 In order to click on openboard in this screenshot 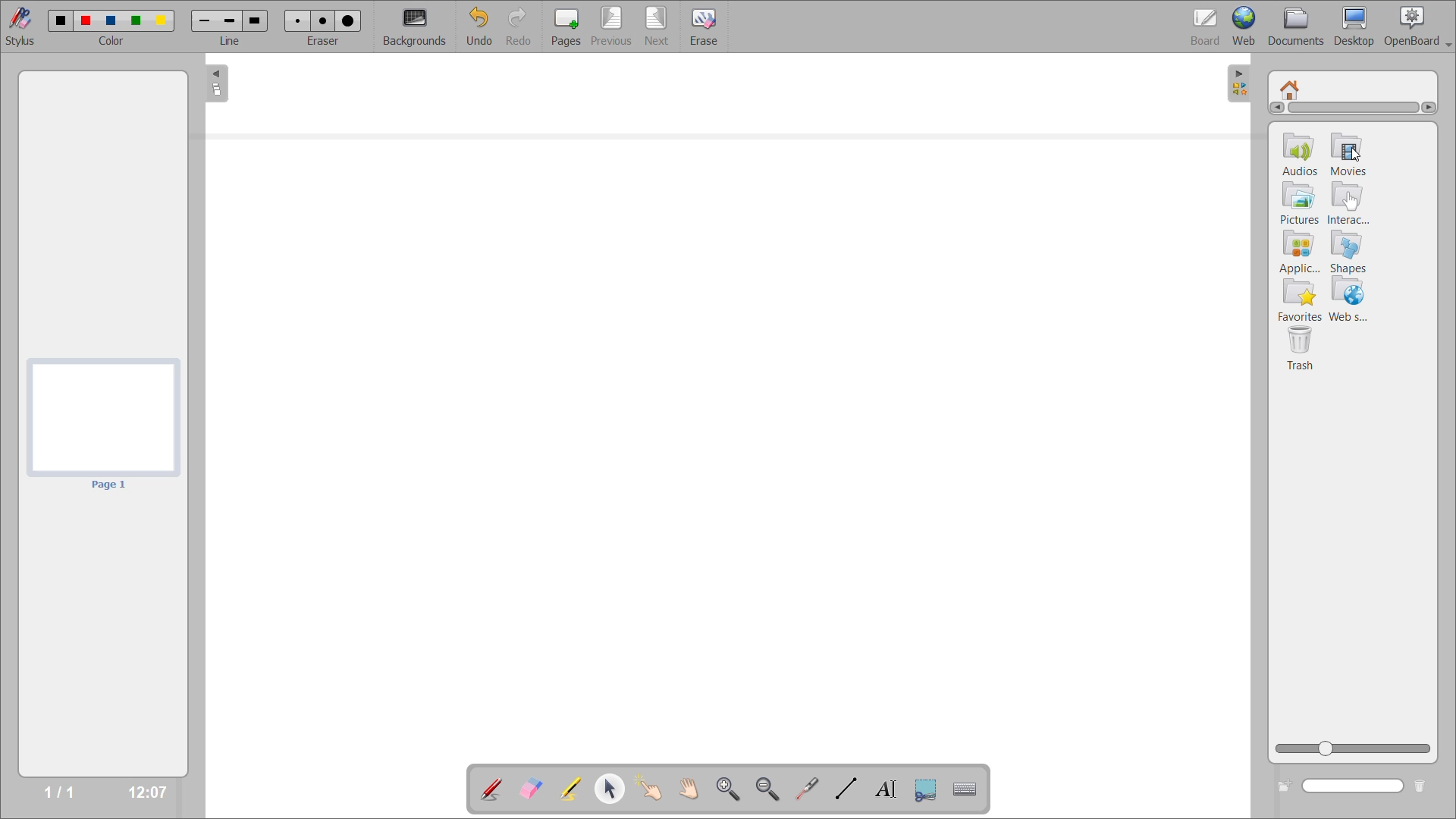, I will do `click(1420, 24)`.